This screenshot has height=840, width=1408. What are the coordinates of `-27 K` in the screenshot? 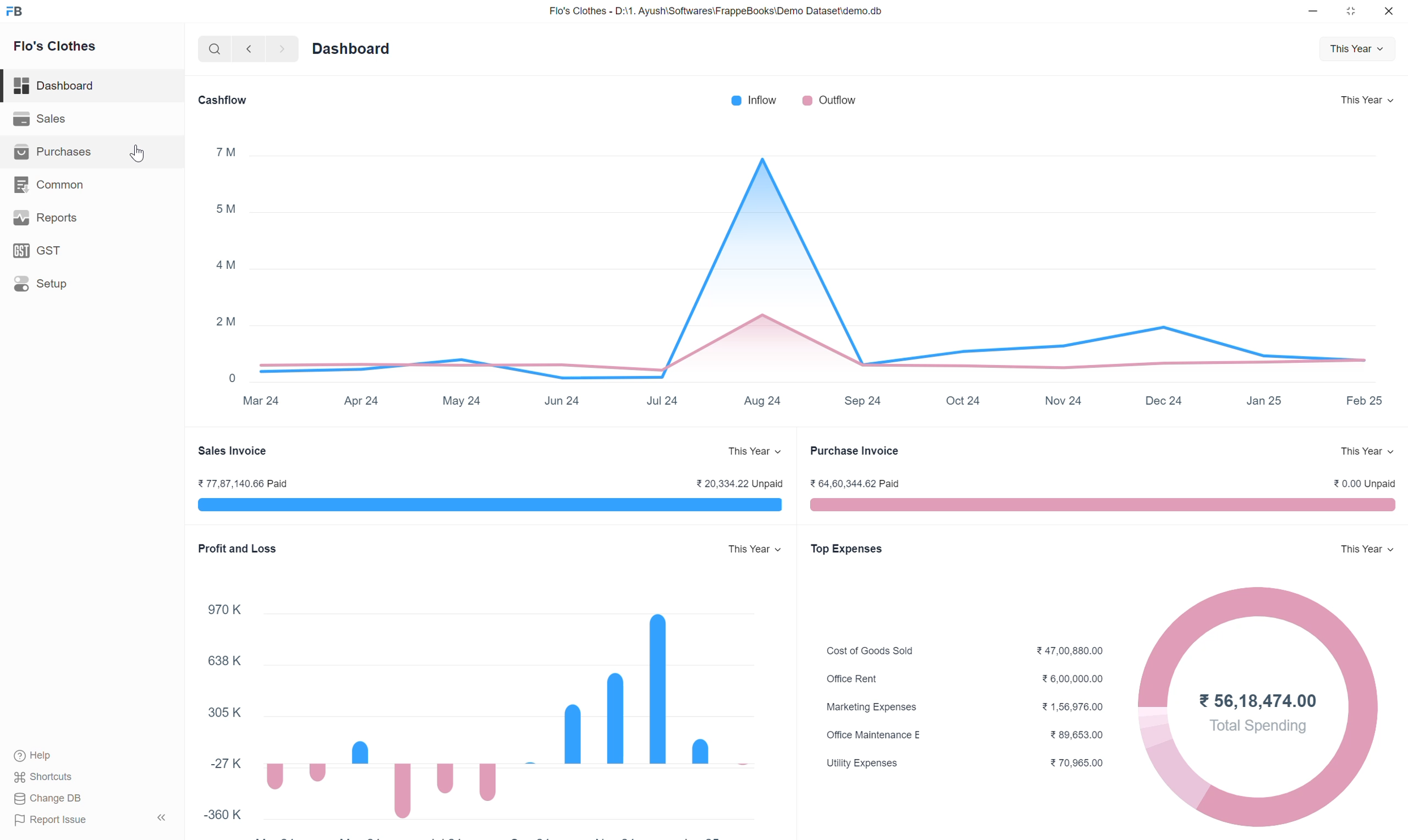 It's located at (223, 763).